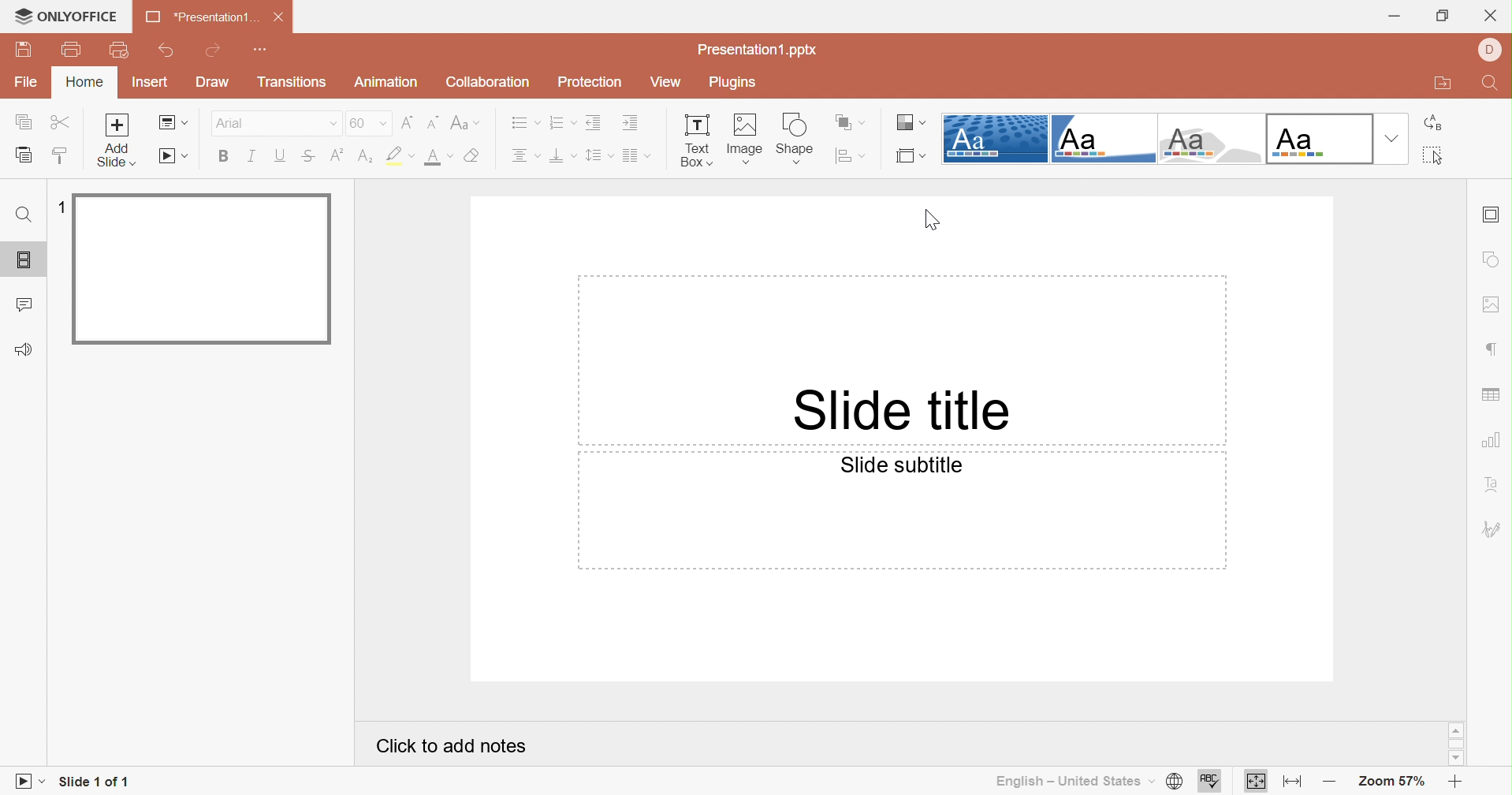 Image resolution: width=1512 pixels, height=795 pixels. What do you see at coordinates (594, 80) in the screenshot?
I see `Protection` at bounding box center [594, 80].